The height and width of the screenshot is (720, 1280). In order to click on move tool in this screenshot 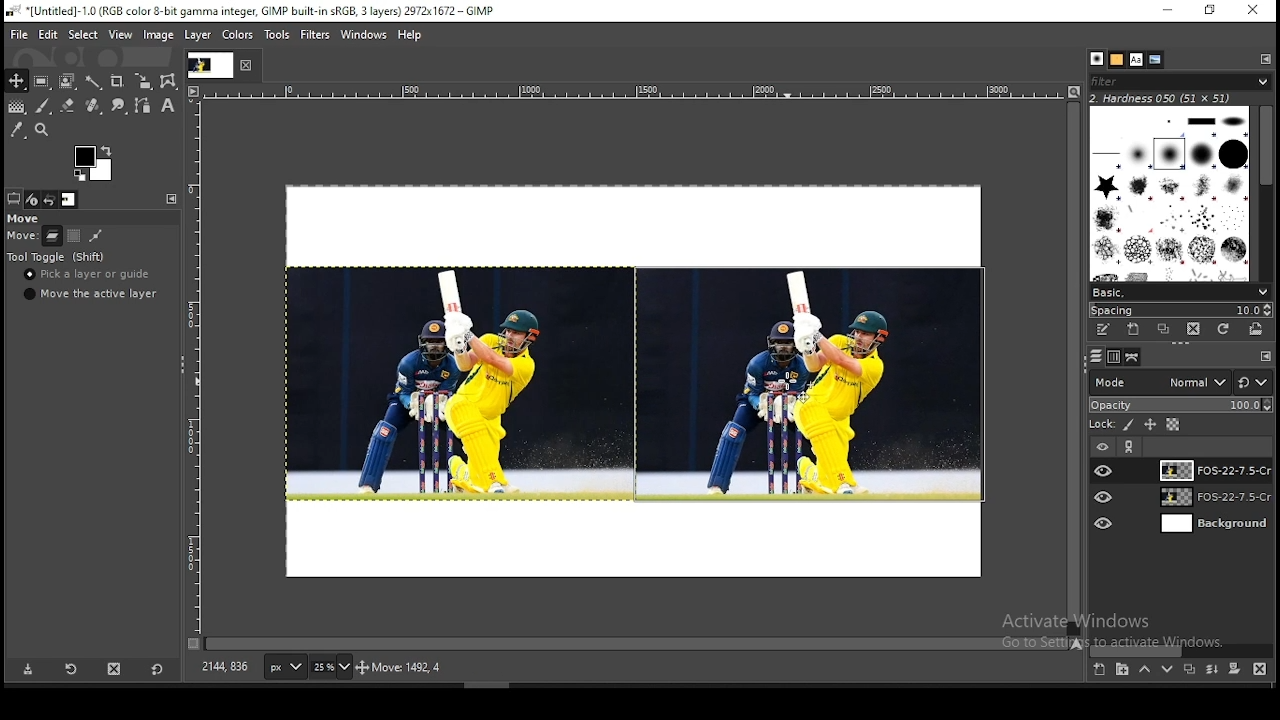, I will do `click(16, 81)`.